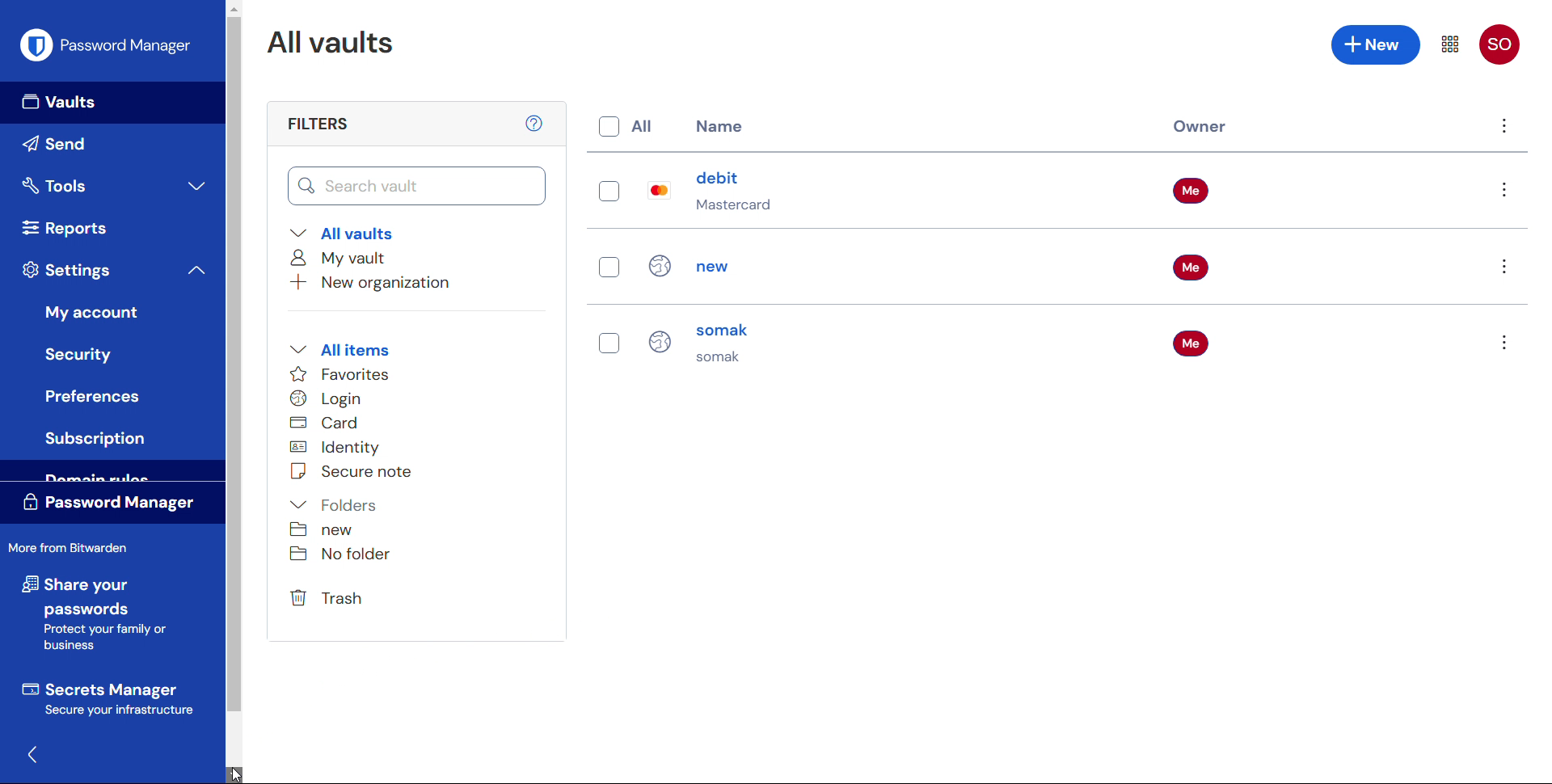 This screenshot has height=784, width=1552. Describe the element at coordinates (334, 446) in the screenshot. I see `Identity ` at that location.